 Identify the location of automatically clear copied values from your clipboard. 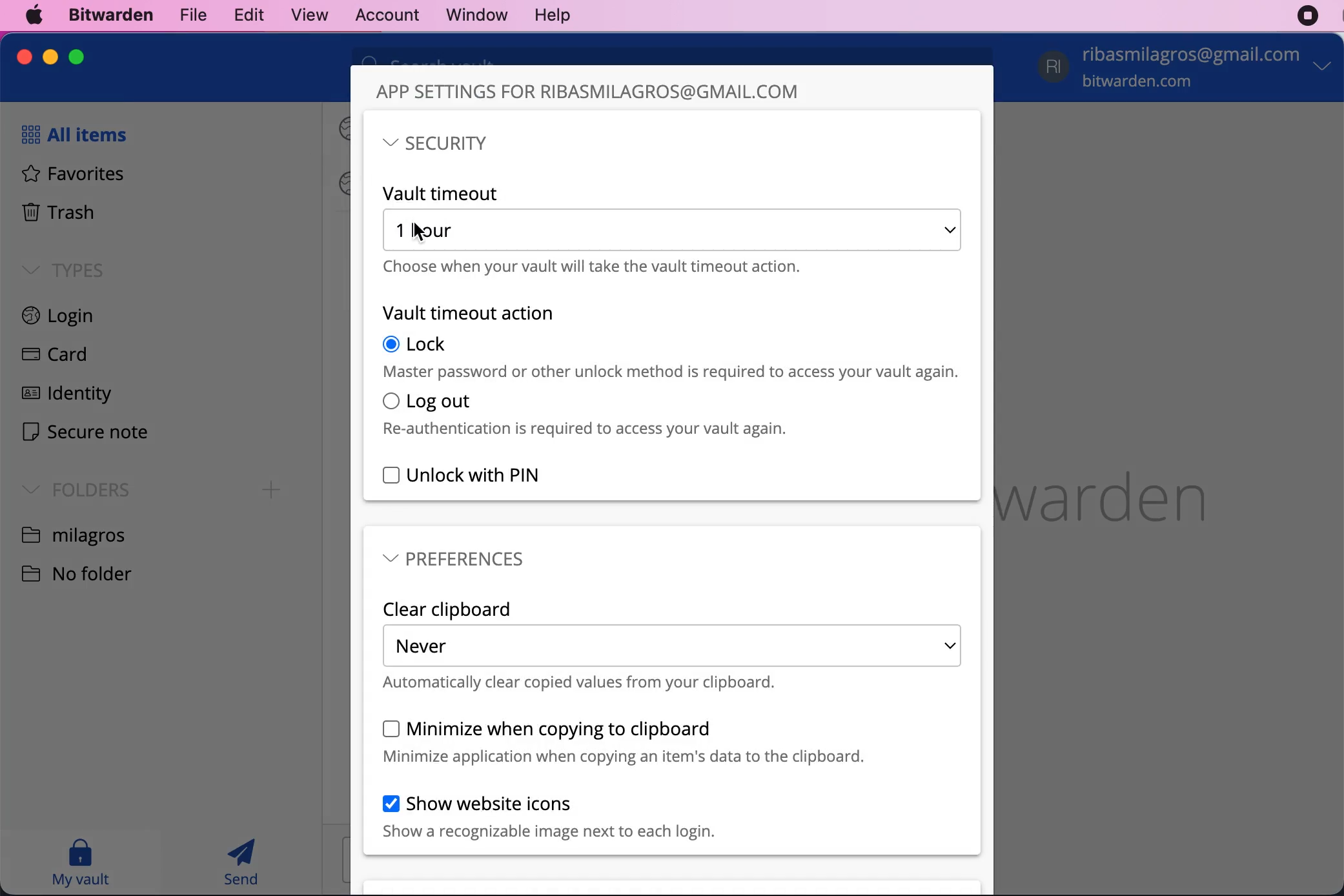
(580, 683).